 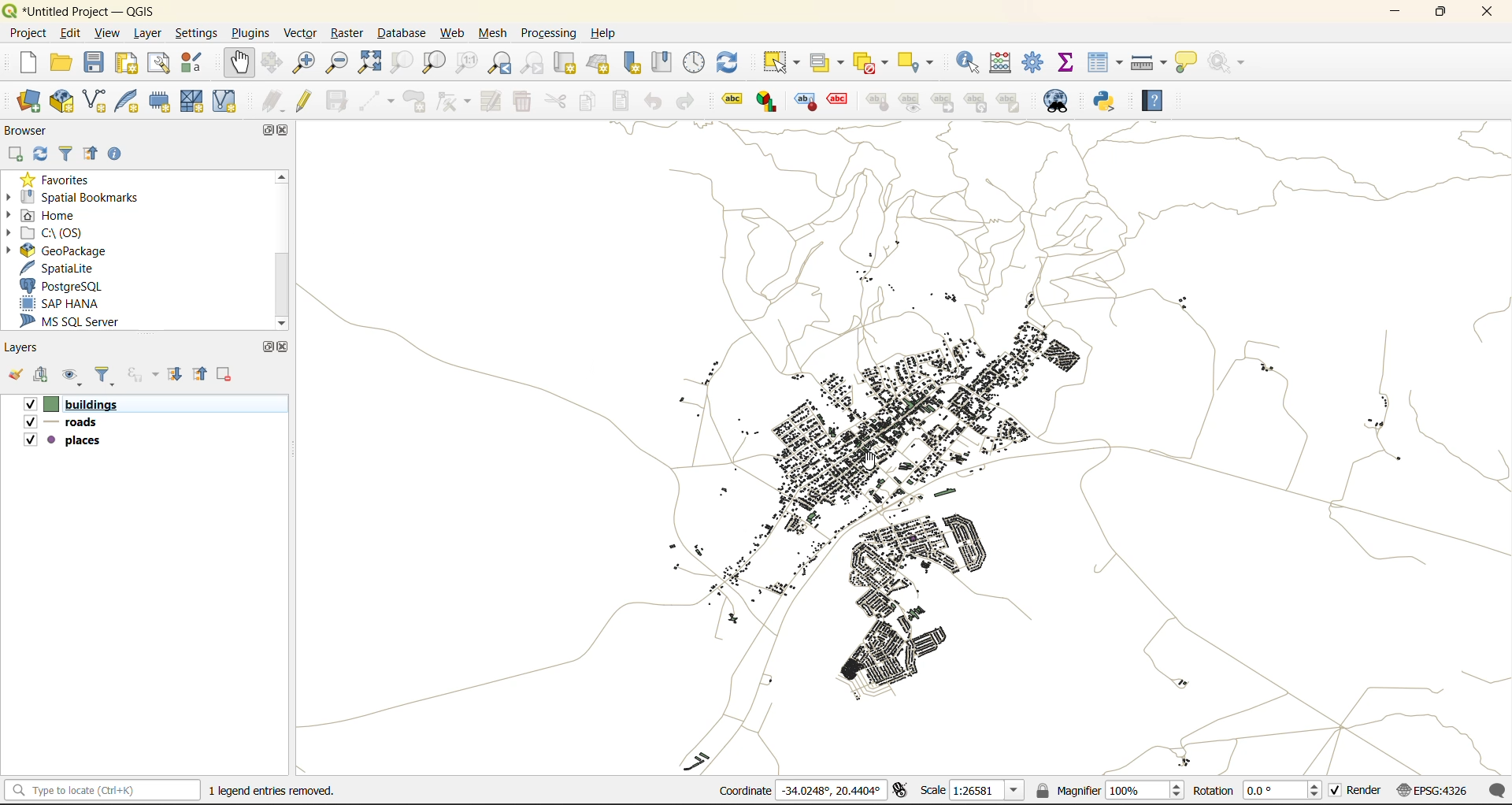 I want to click on enable properties, so click(x=116, y=153).